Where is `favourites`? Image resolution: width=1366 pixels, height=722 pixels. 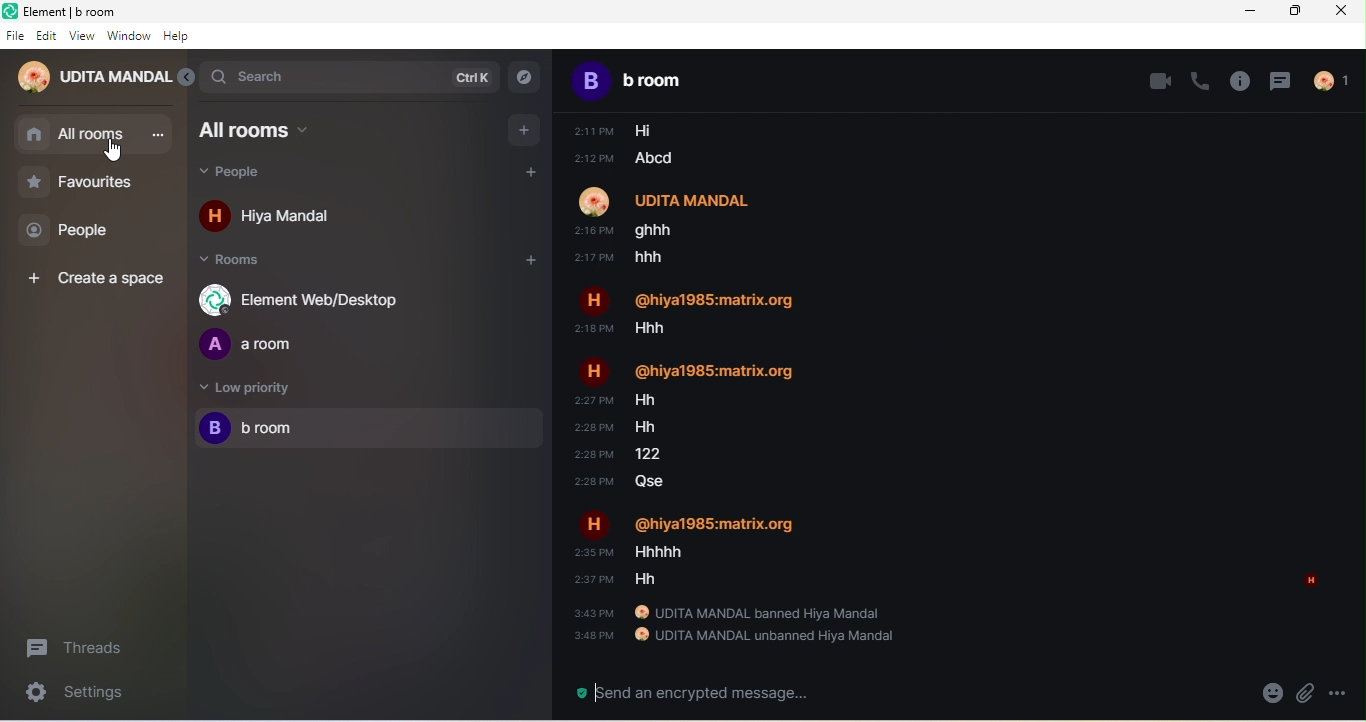
favourites is located at coordinates (91, 183).